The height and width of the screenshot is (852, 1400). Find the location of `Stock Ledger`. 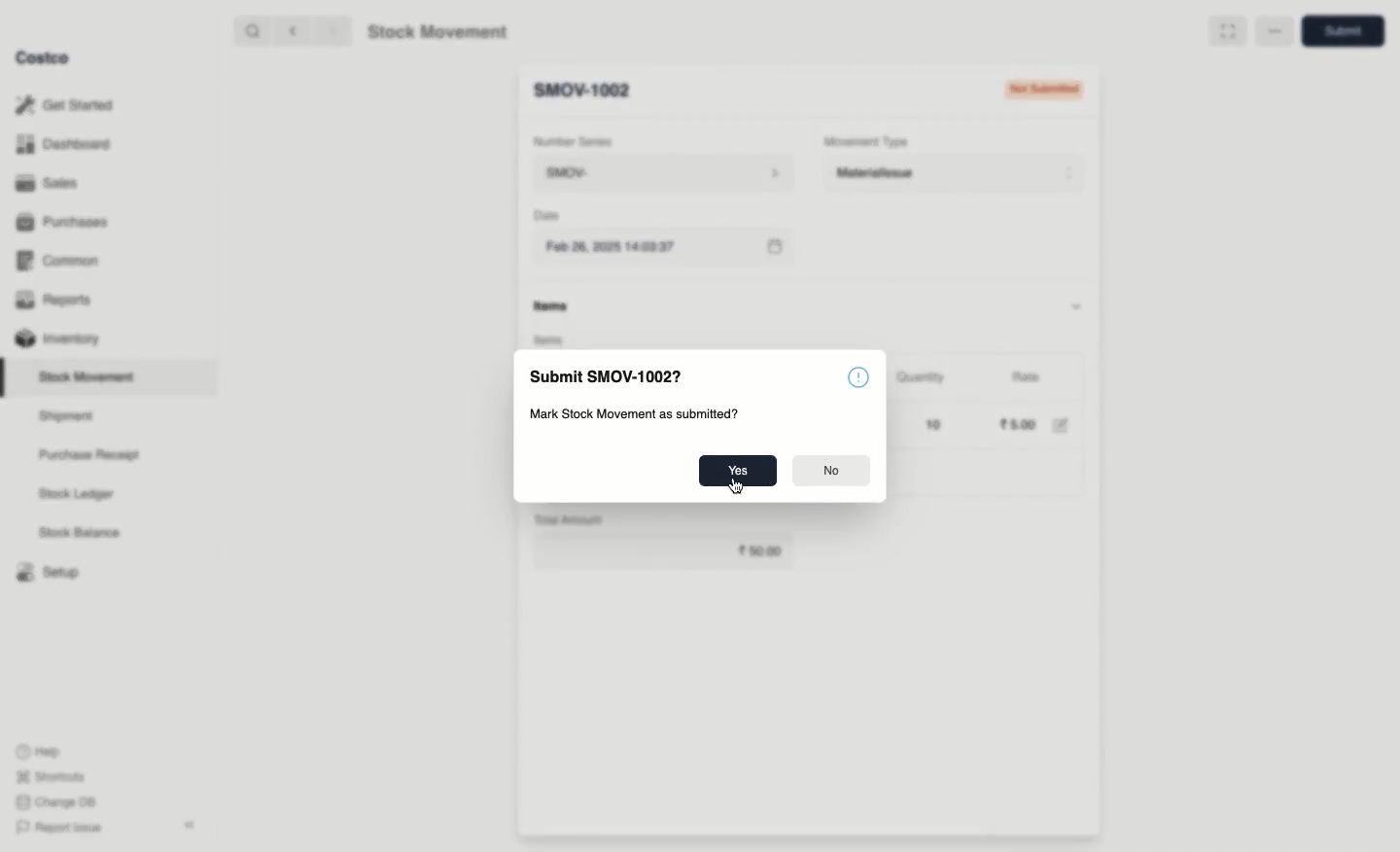

Stock Ledger is located at coordinates (77, 496).